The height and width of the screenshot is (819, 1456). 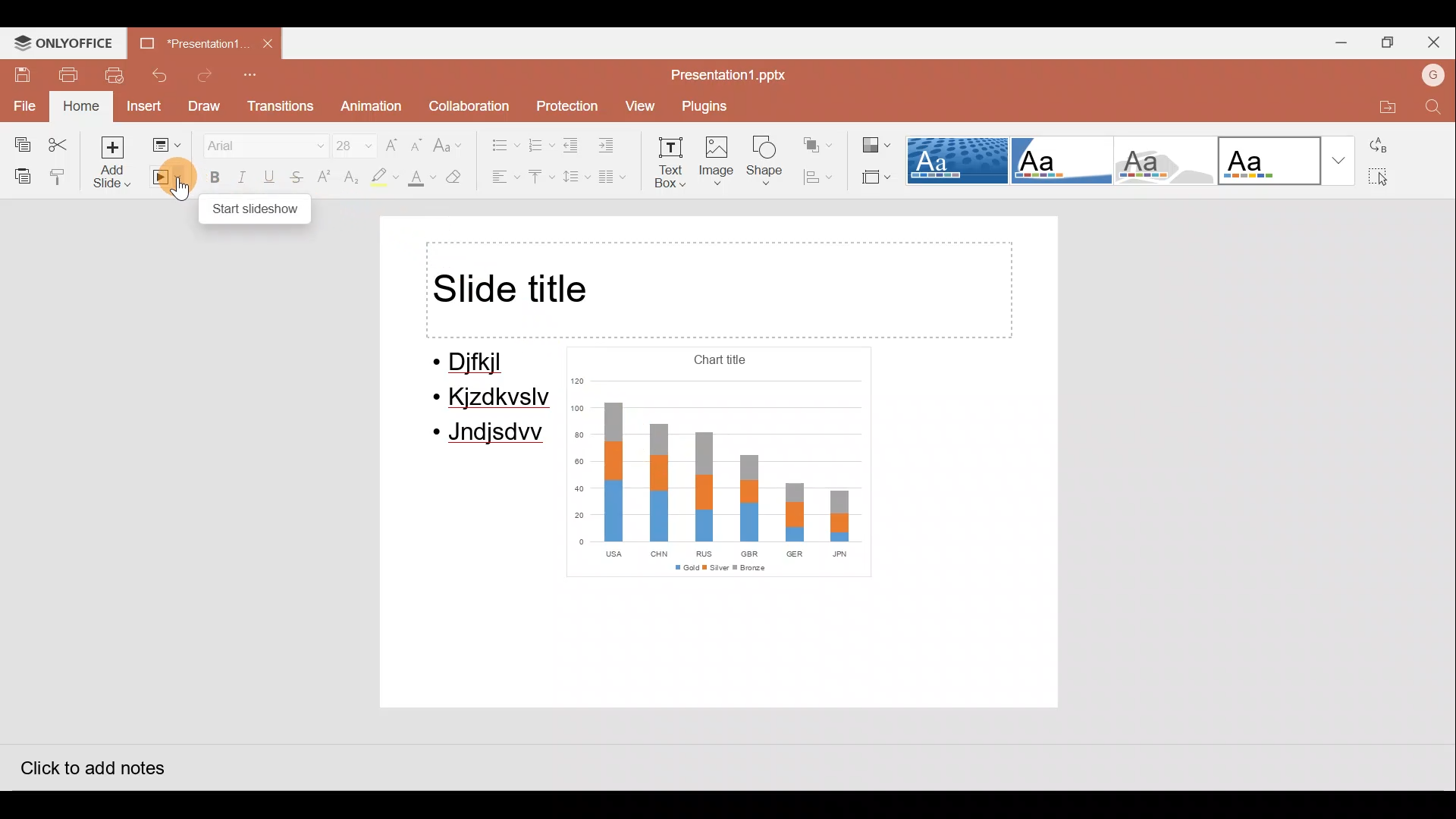 What do you see at coordinates (719, 290) in the screenshot?
I see `Title` at bounding box center [719, 290].